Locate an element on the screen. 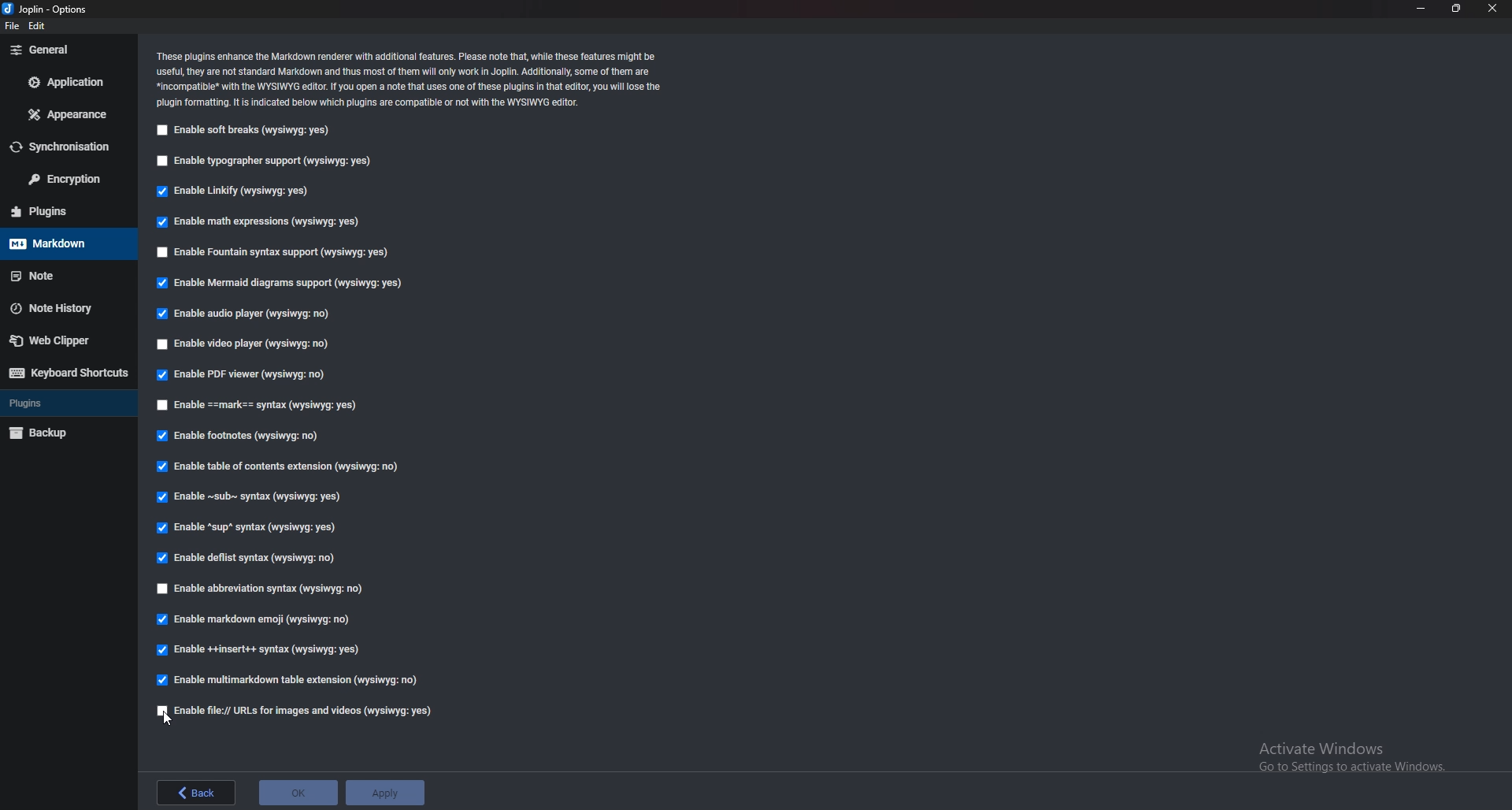  Enable fountain syntax support is located at coordinates (273, 253).